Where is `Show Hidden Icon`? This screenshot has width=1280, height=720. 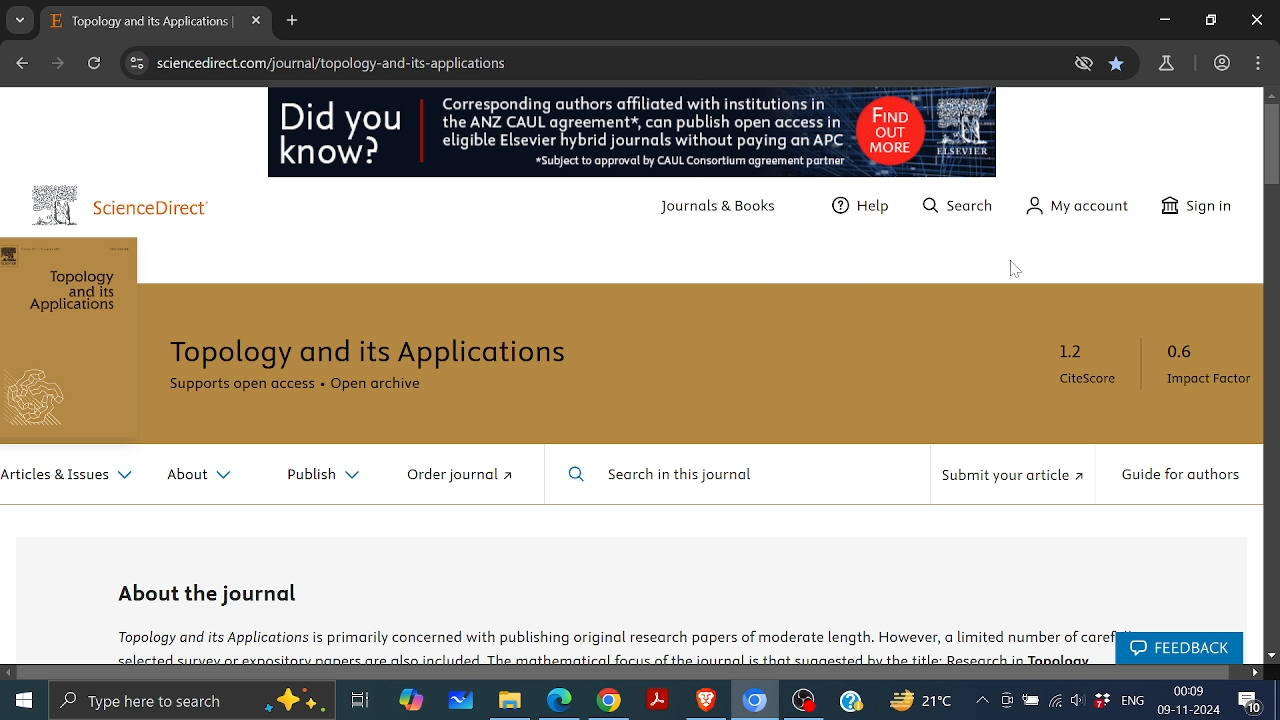
Show Hidden Icon is located at coordinates (981, 700).